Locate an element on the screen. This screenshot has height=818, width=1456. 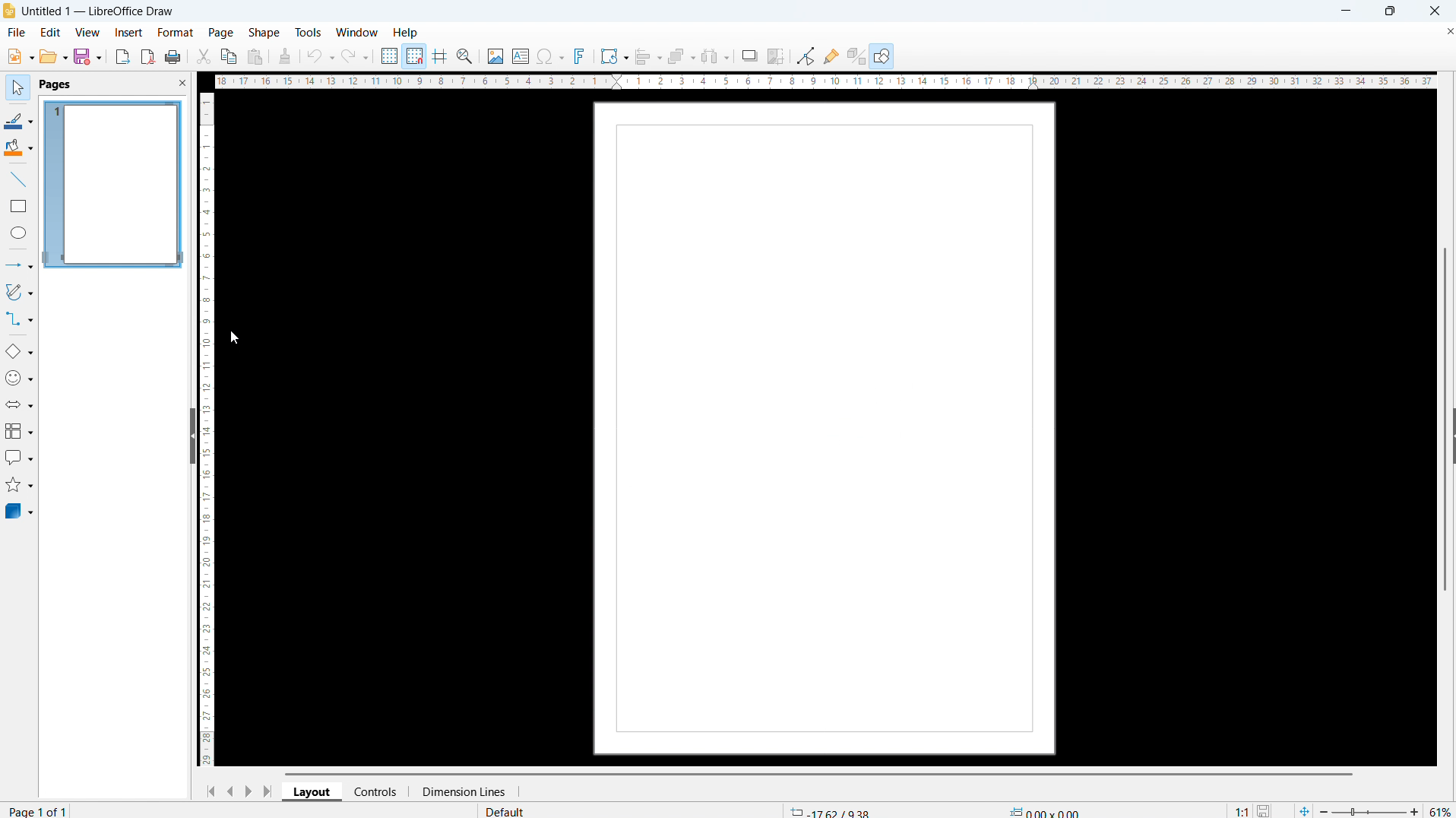
maximize is located at coordinates (1390, 11).